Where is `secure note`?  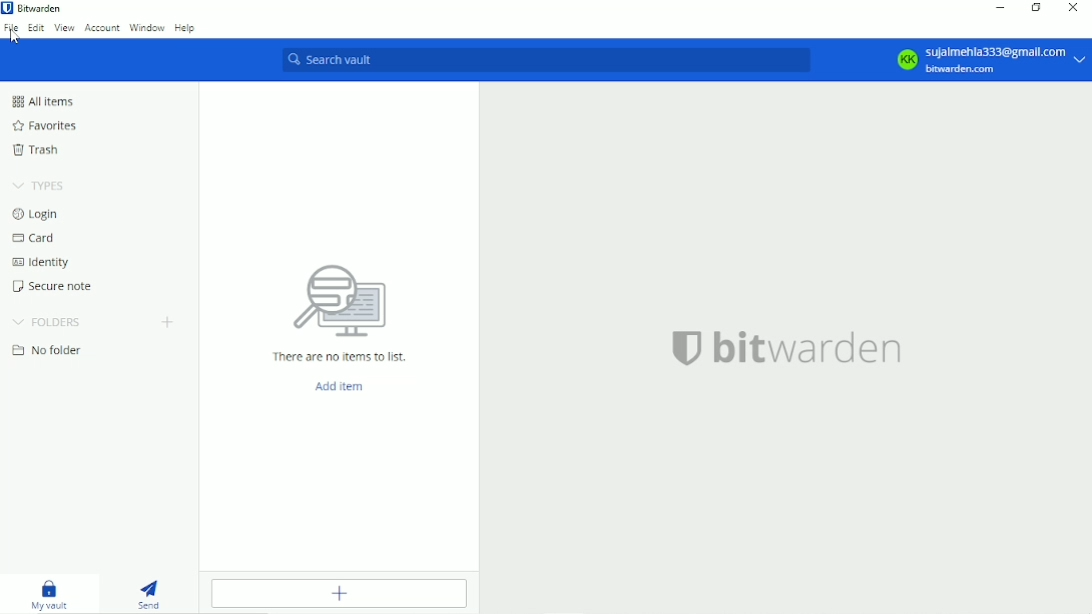
secure note is located at coordinates (54, 286).